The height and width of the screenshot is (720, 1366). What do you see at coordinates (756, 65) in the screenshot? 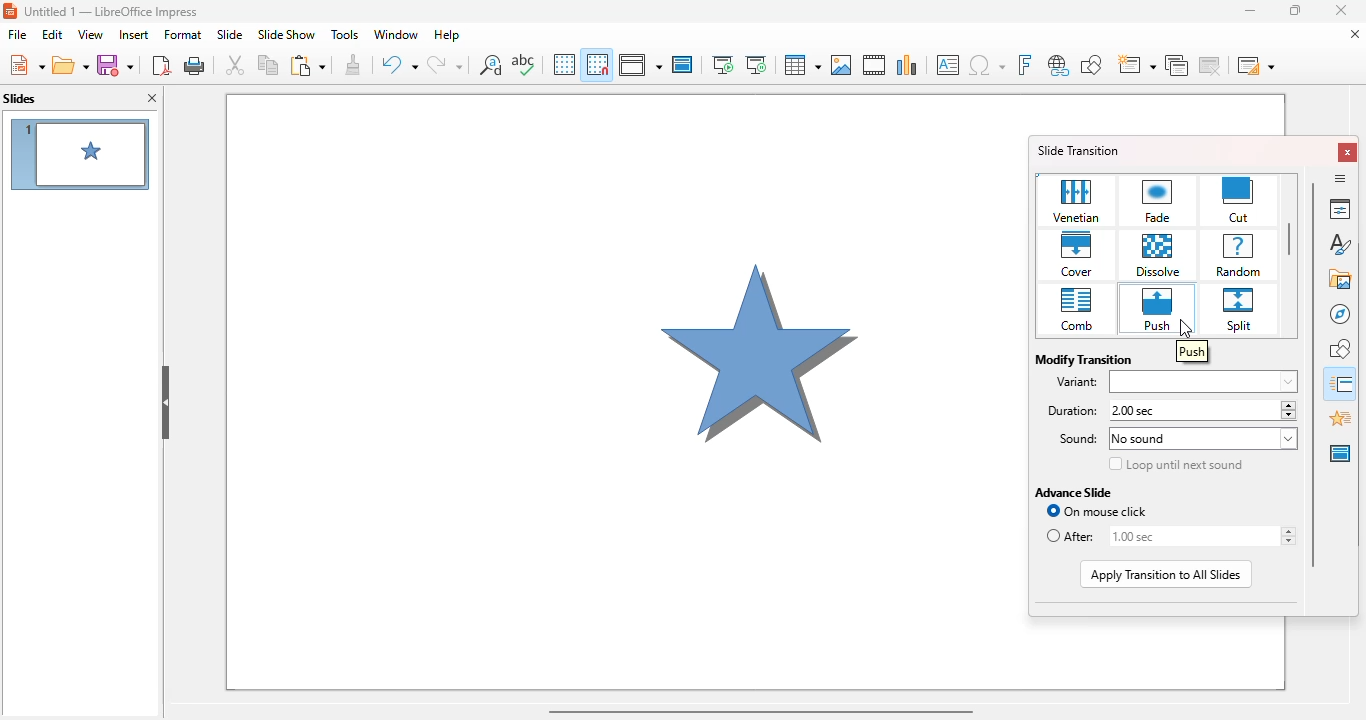
I see `start from current slide` at bounding box center [756, 65].